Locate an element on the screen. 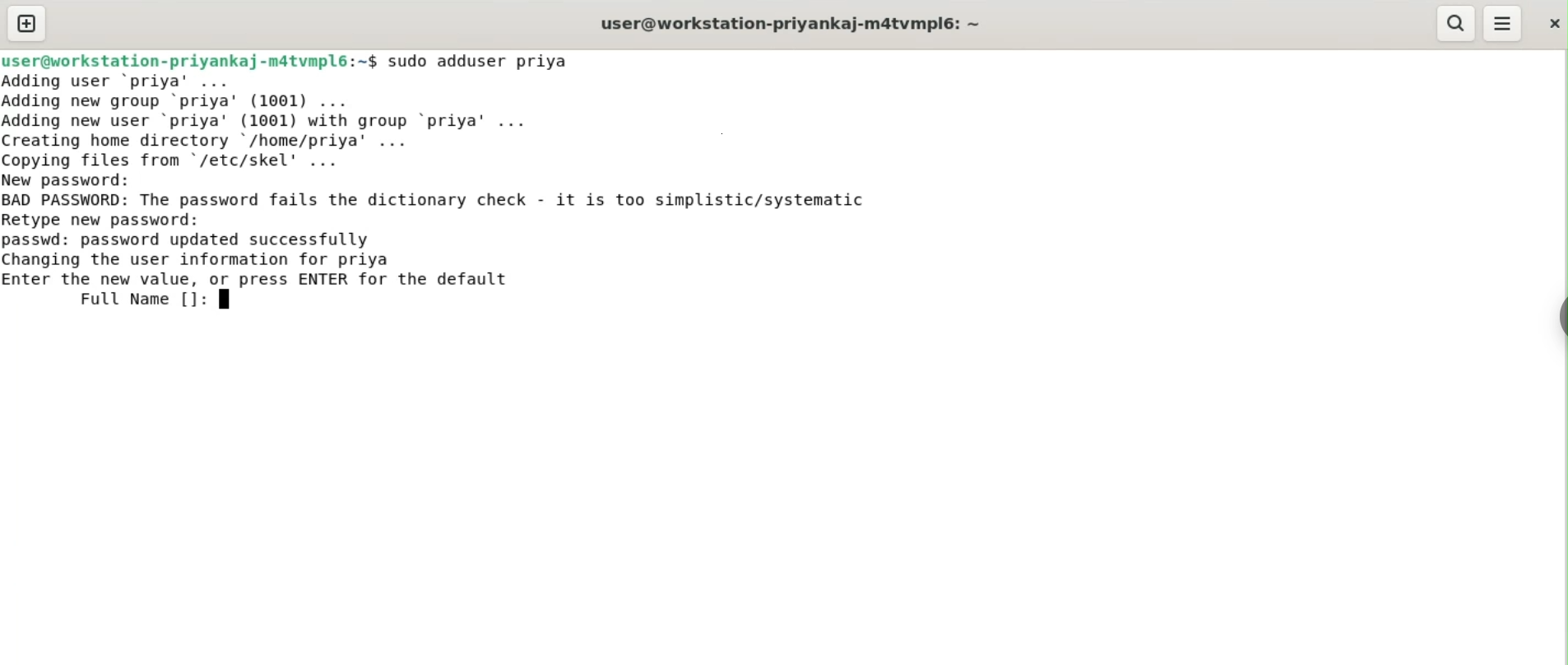 Image resolution: width=1568 pixels, height=665 pixels. user@workstation-priyankaj-m4tvmpl6:~$ is located at coordinates (189, 58).